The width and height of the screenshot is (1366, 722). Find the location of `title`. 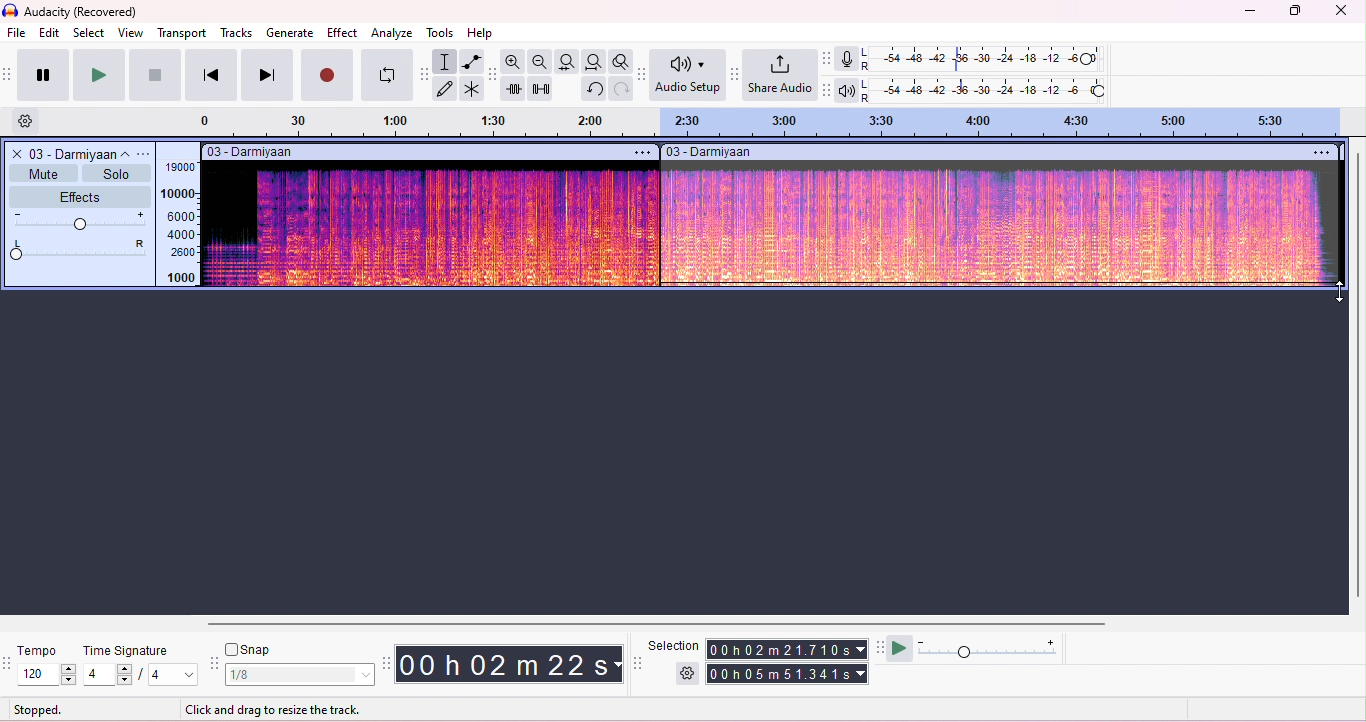

title is located at coordinates (73, 12).